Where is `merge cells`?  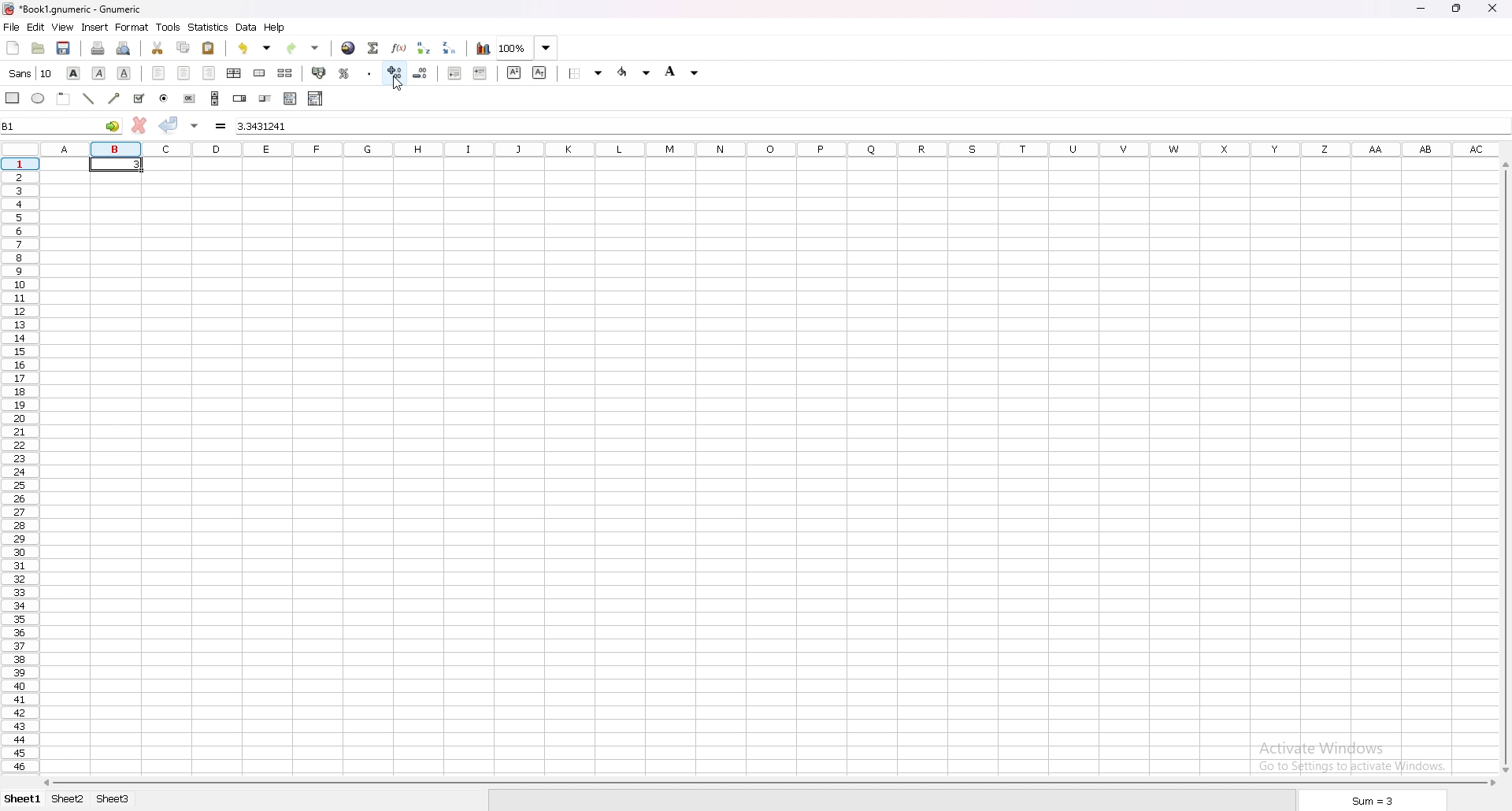 merge cells is located at coordinates (259, 74).